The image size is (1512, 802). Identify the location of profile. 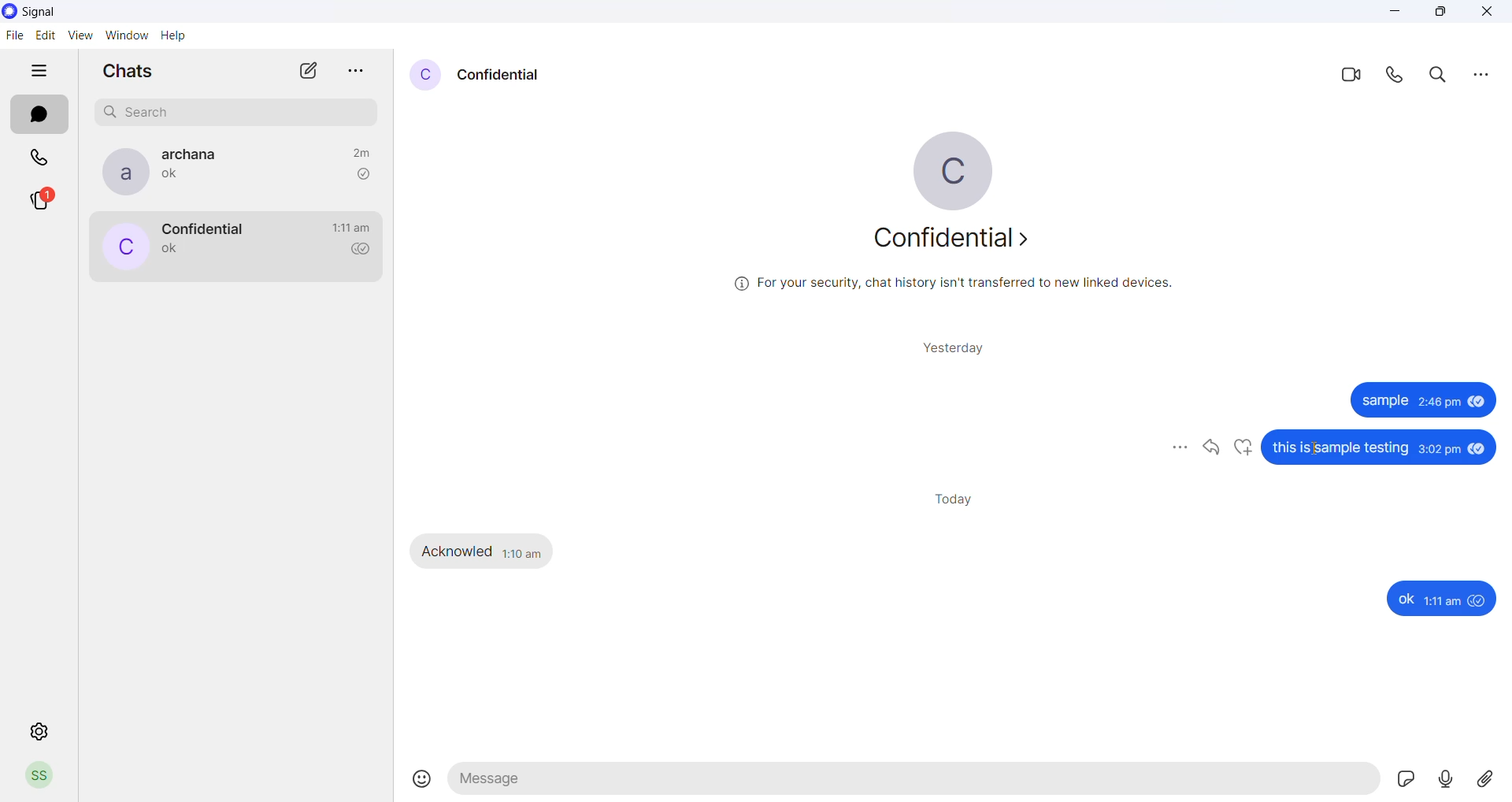
(39, 778).